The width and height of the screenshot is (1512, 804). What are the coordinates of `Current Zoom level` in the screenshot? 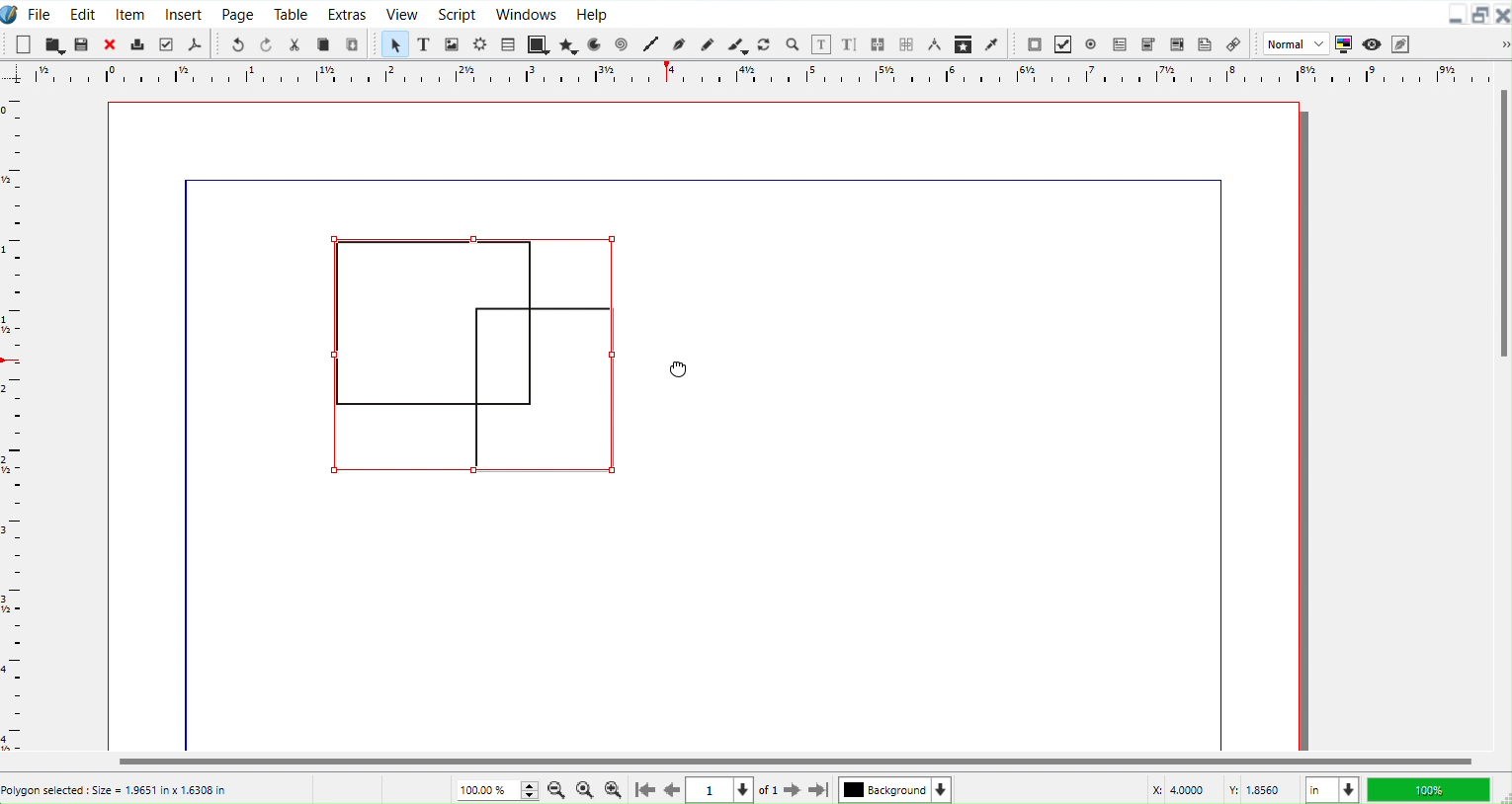 It's located at (494, 788).